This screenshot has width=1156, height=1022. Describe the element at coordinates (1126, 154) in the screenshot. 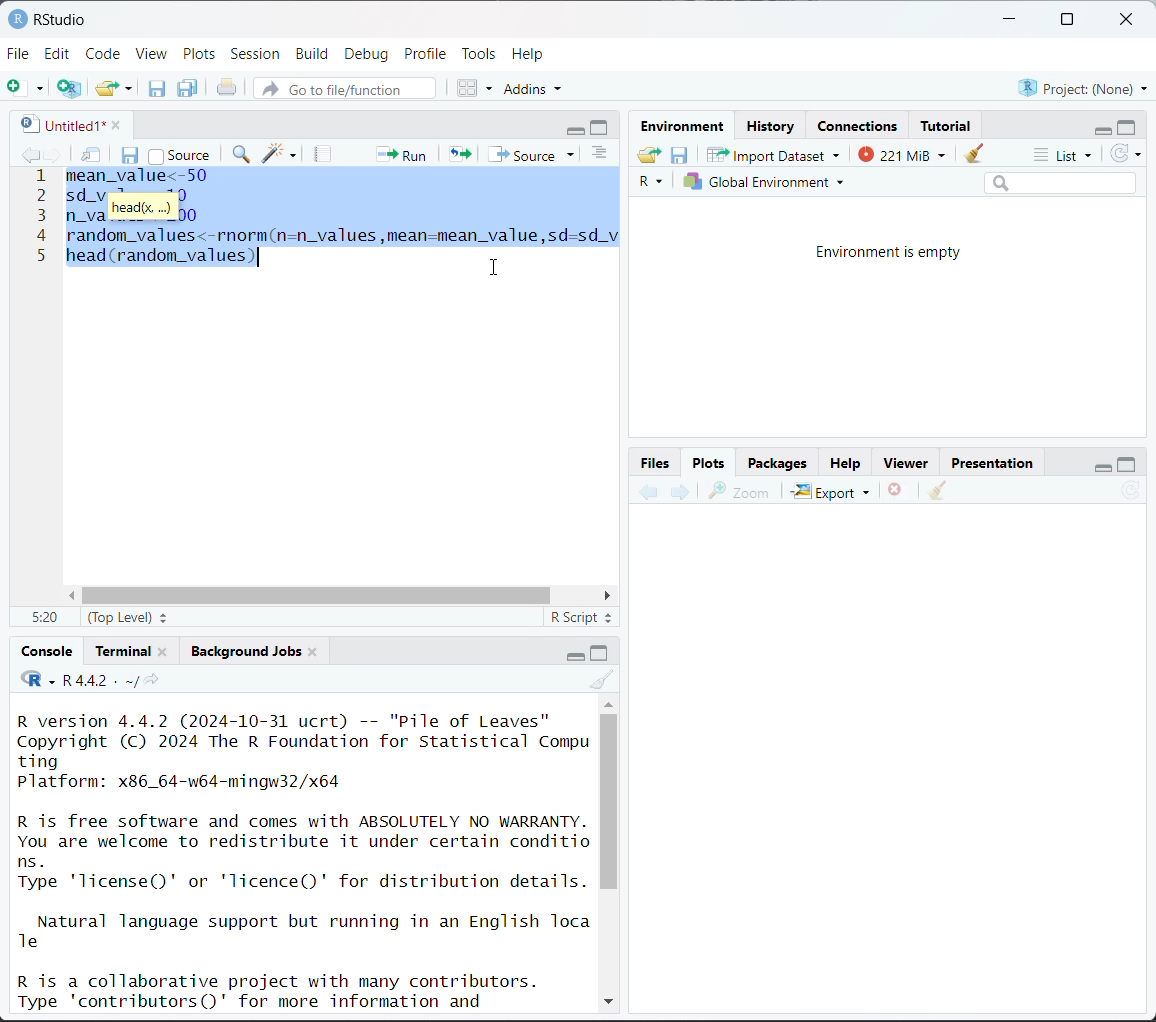

I see `refresh the list` at that location.